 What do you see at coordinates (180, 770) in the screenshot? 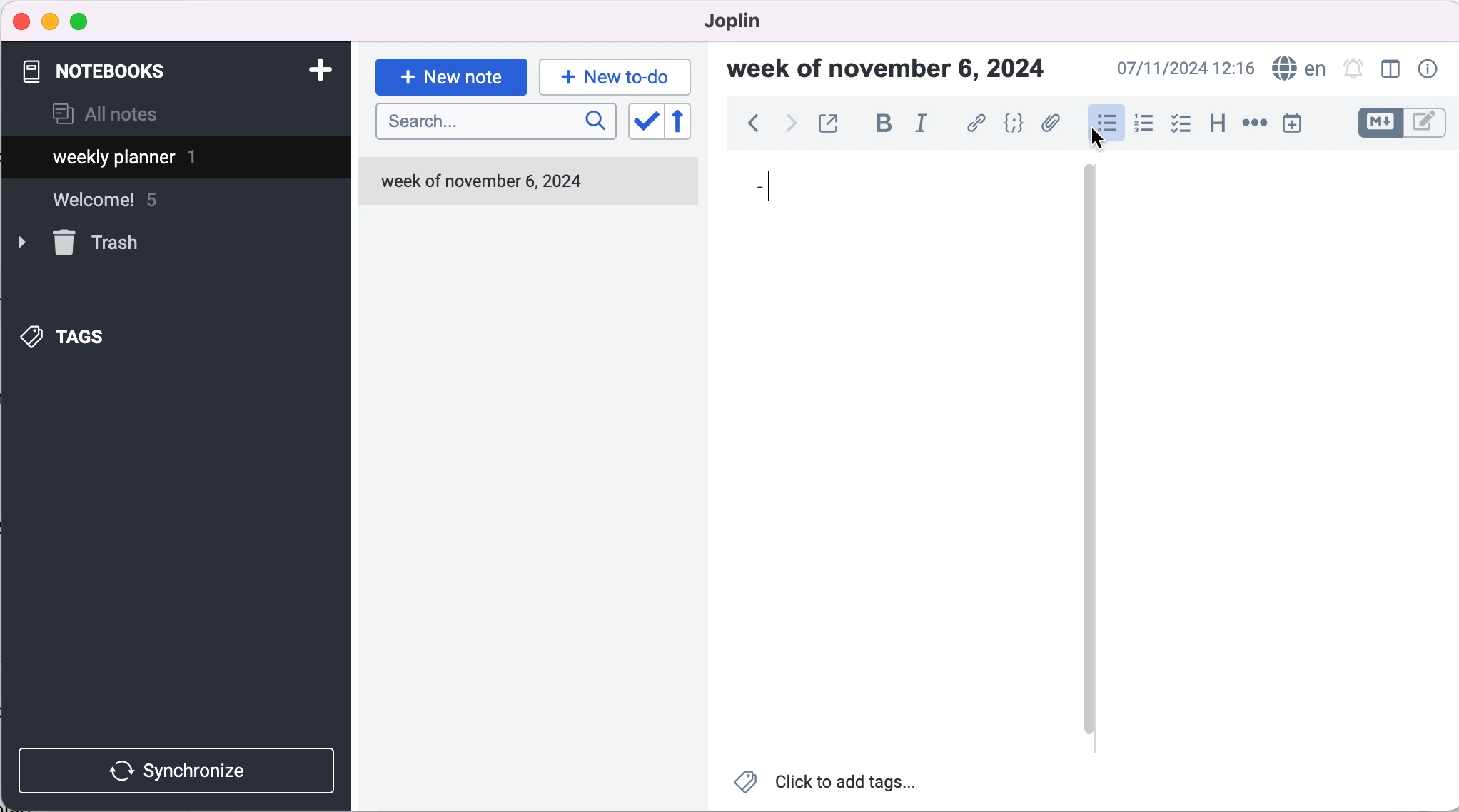
I see `synchronize` at bounding box center [180, 770].